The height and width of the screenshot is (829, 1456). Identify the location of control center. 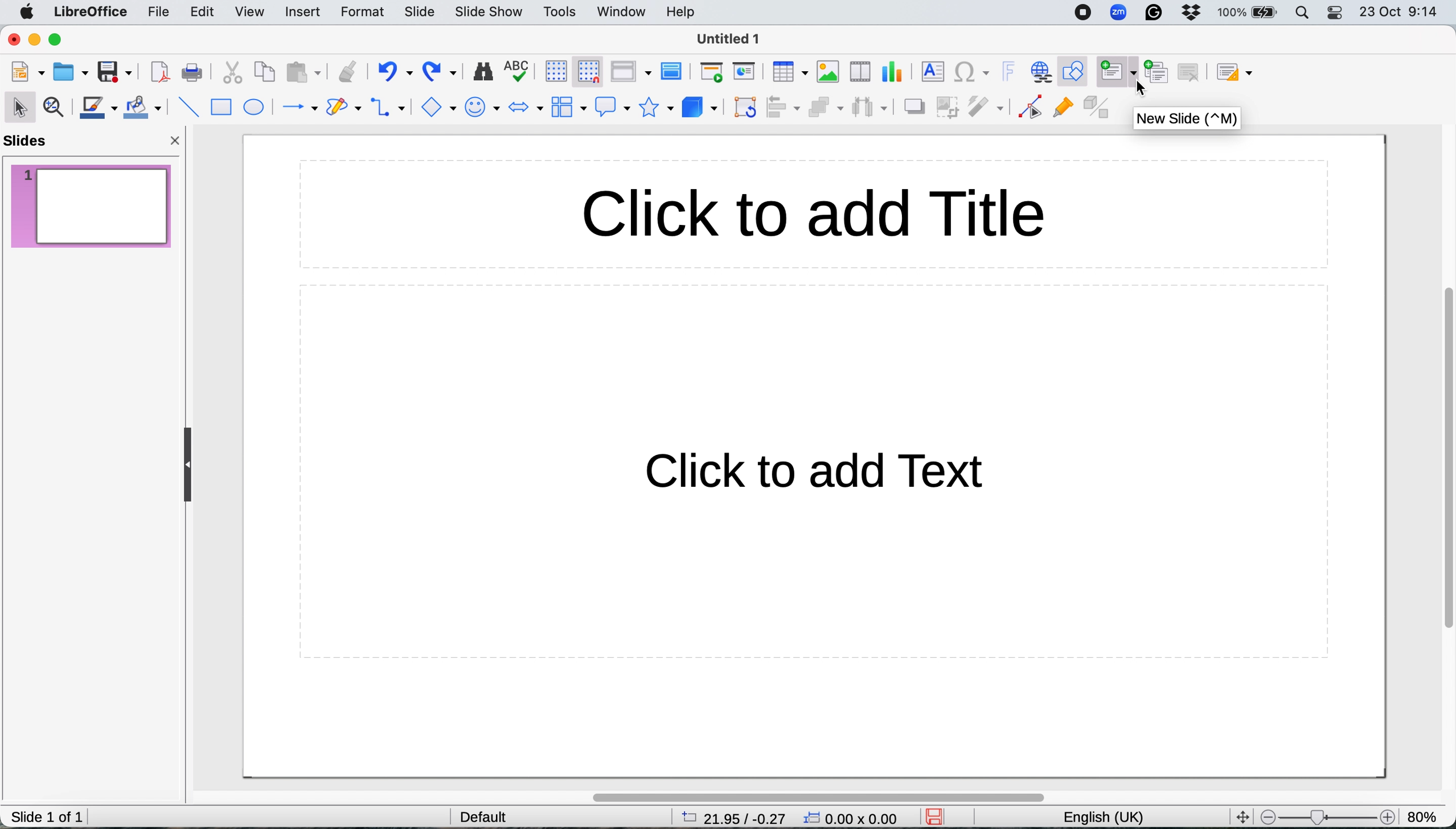
(1337, 14).